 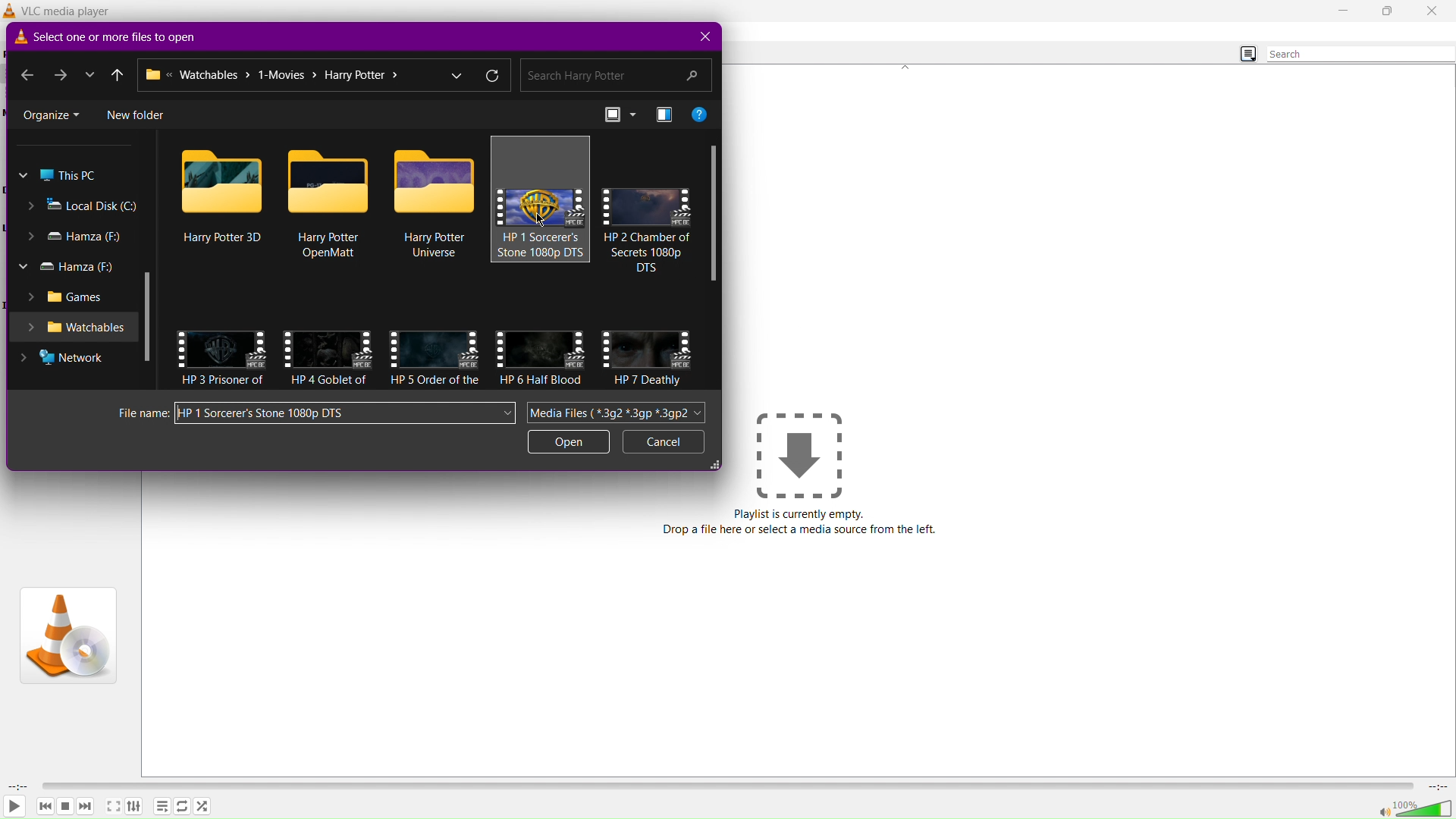 What do you see at coordinates (66, 806) in the screenshot?
I see `Stop` at bounding box center [66, 806].